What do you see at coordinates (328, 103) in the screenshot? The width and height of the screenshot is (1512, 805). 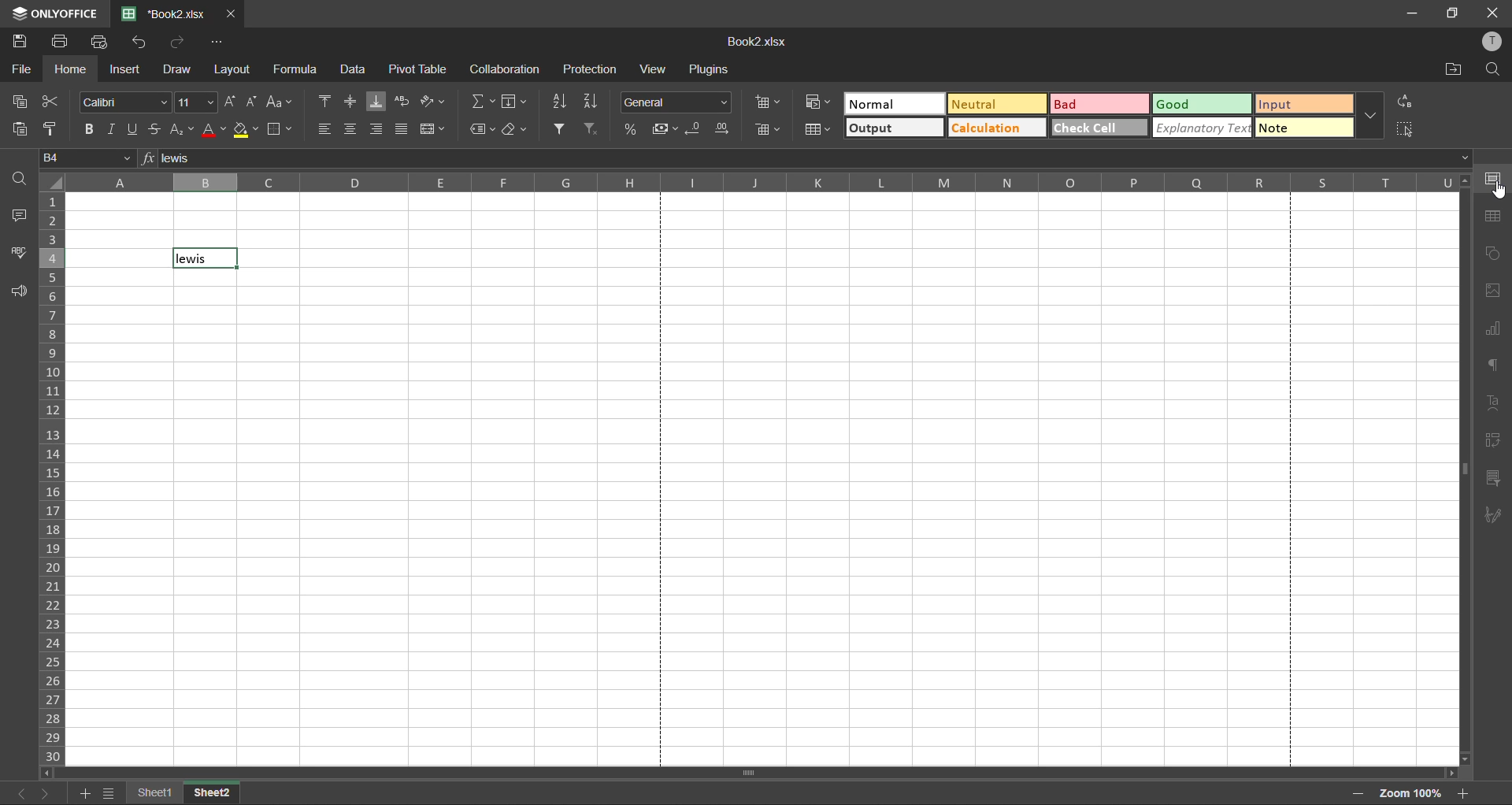 I see `align top` at bounding box center [328, 103].